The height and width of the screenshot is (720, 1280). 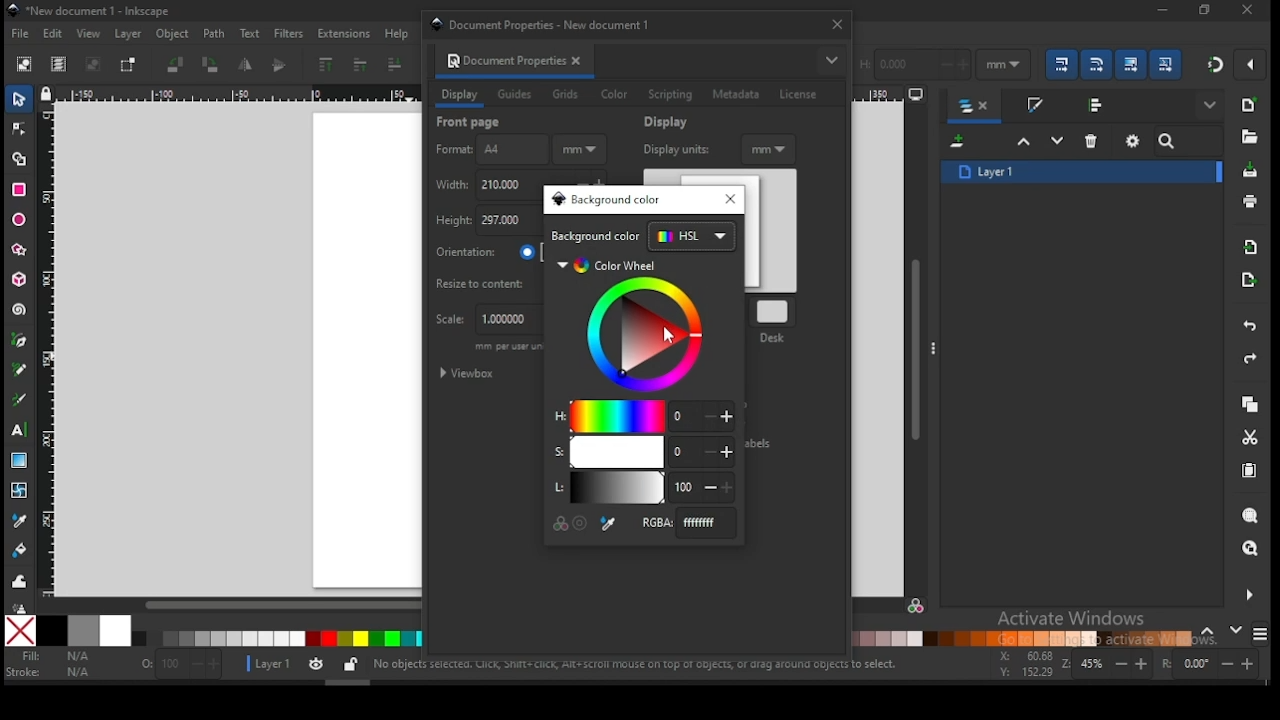 I want to click on saturation, so click(x=641, y=452).